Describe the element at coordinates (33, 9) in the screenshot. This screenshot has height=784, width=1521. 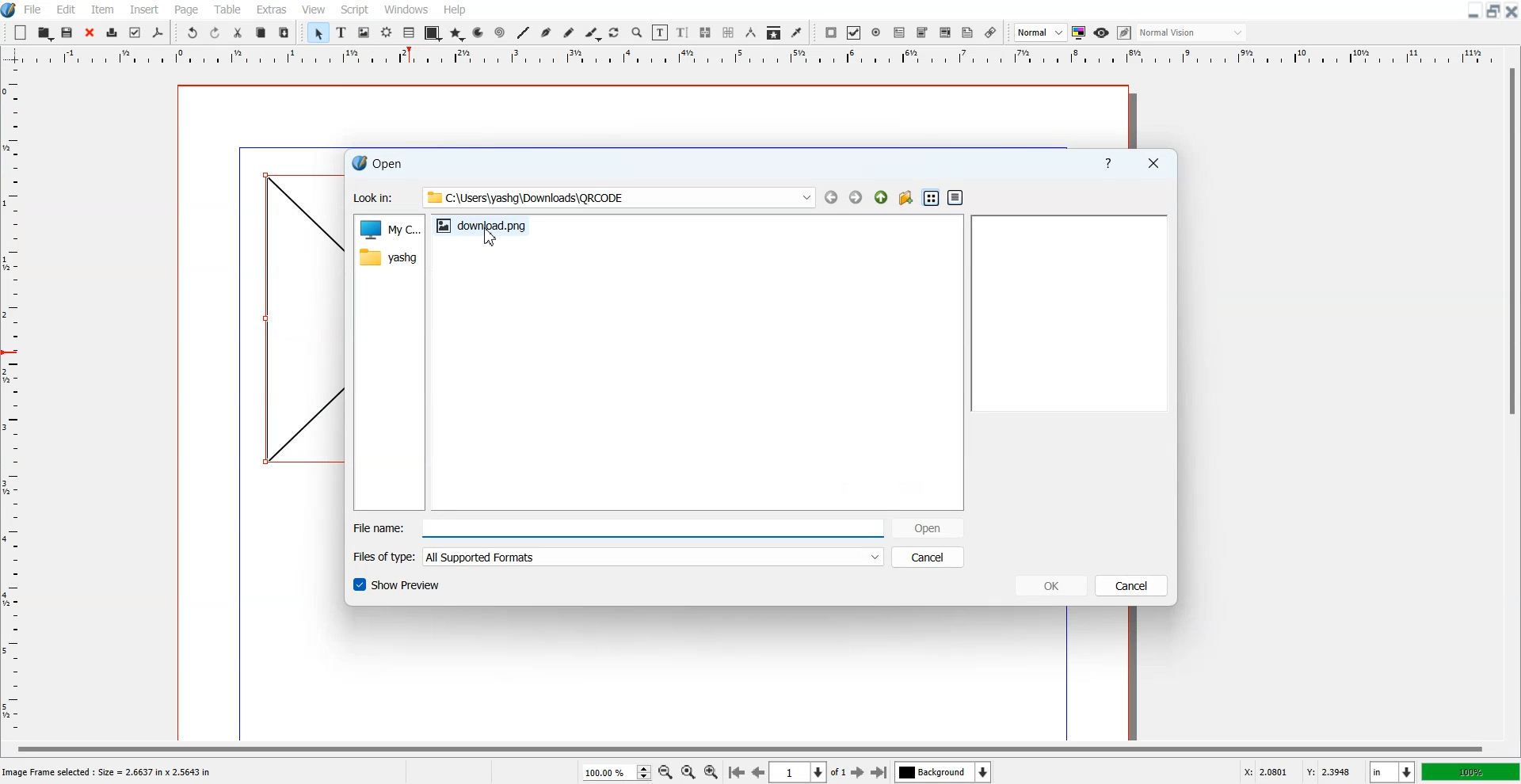
I see `File` at that location.